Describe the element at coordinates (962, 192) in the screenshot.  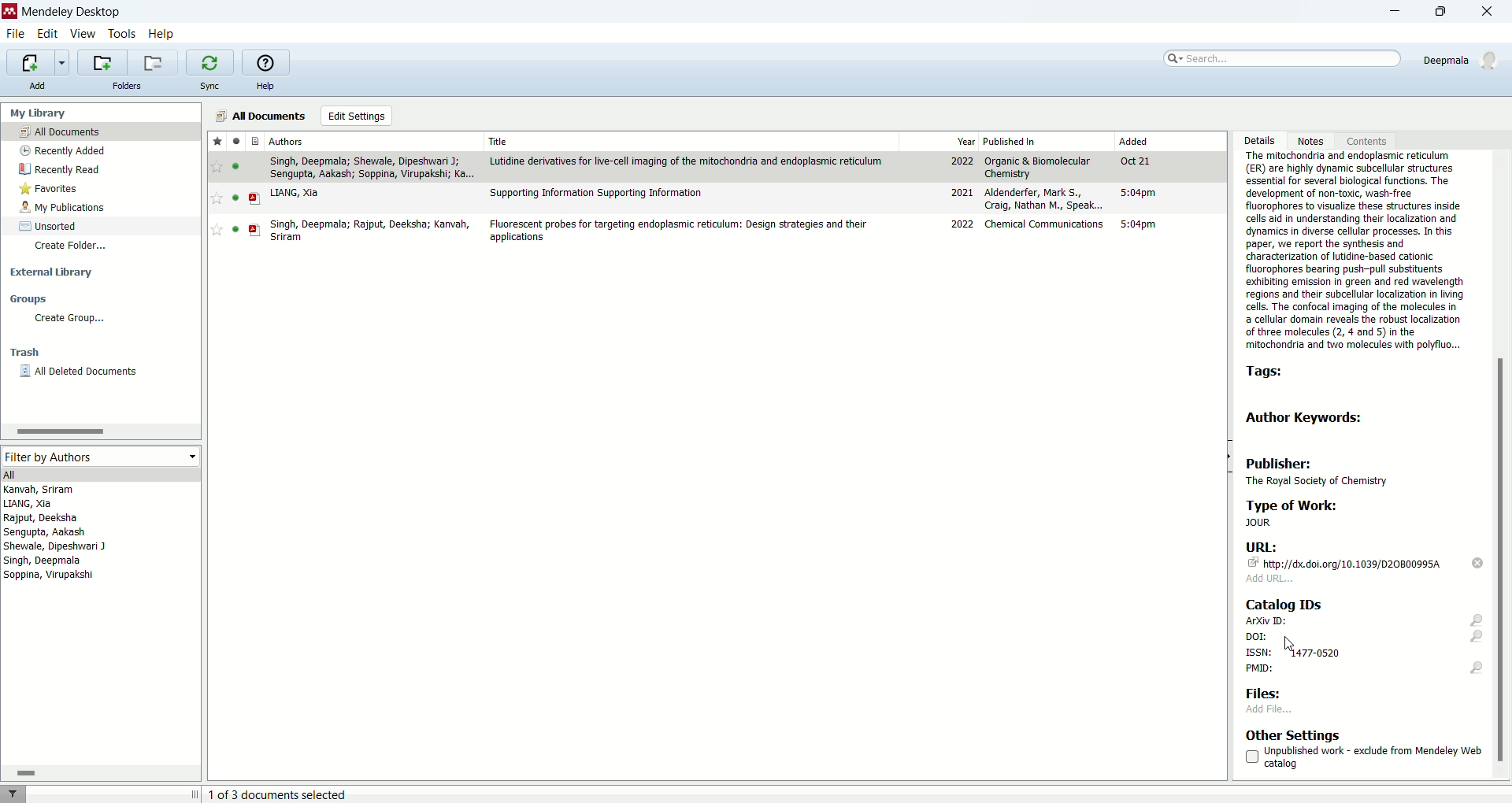
I see `2021` at that location.